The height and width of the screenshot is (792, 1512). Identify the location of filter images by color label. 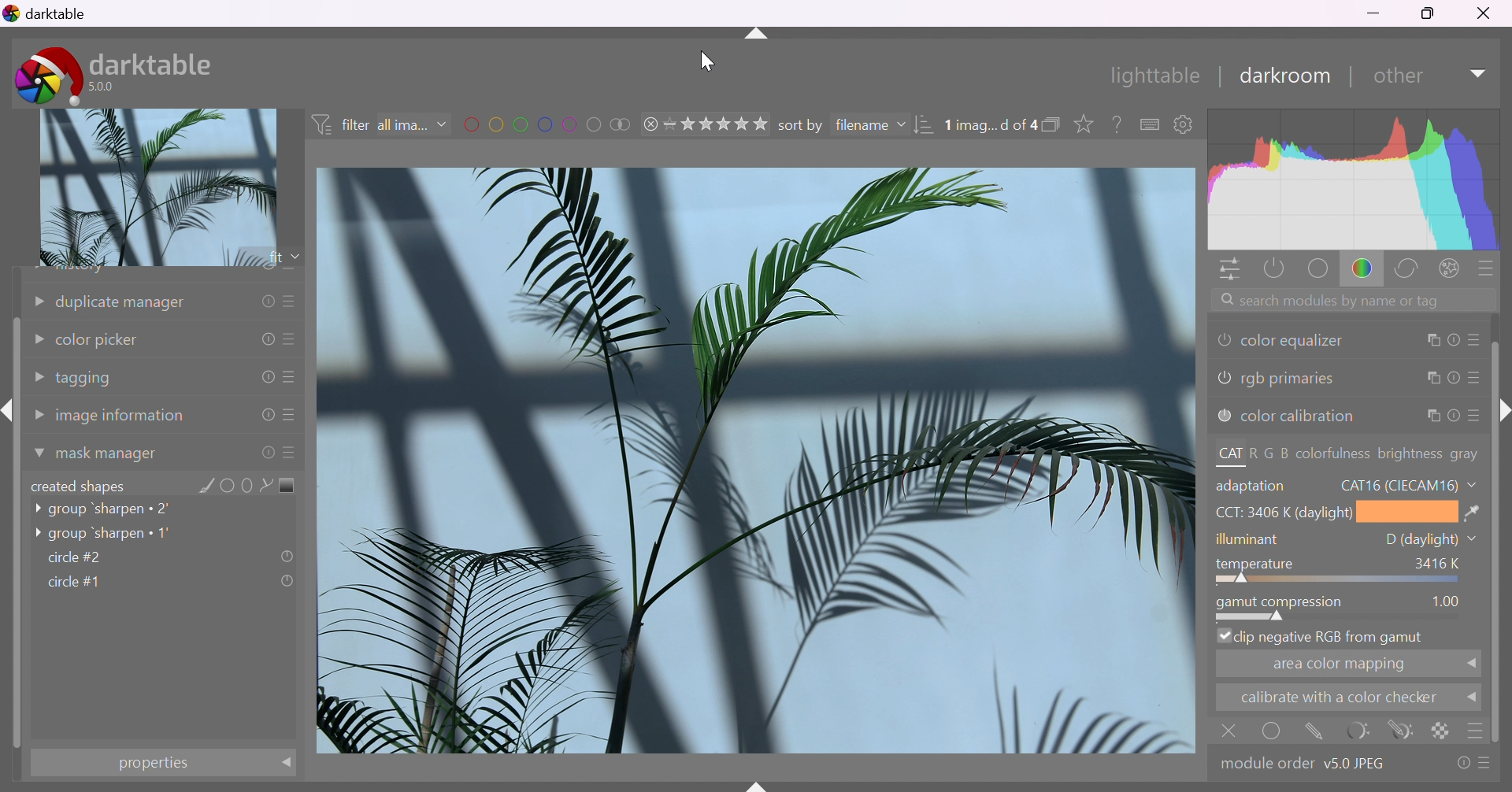
(547, 125).